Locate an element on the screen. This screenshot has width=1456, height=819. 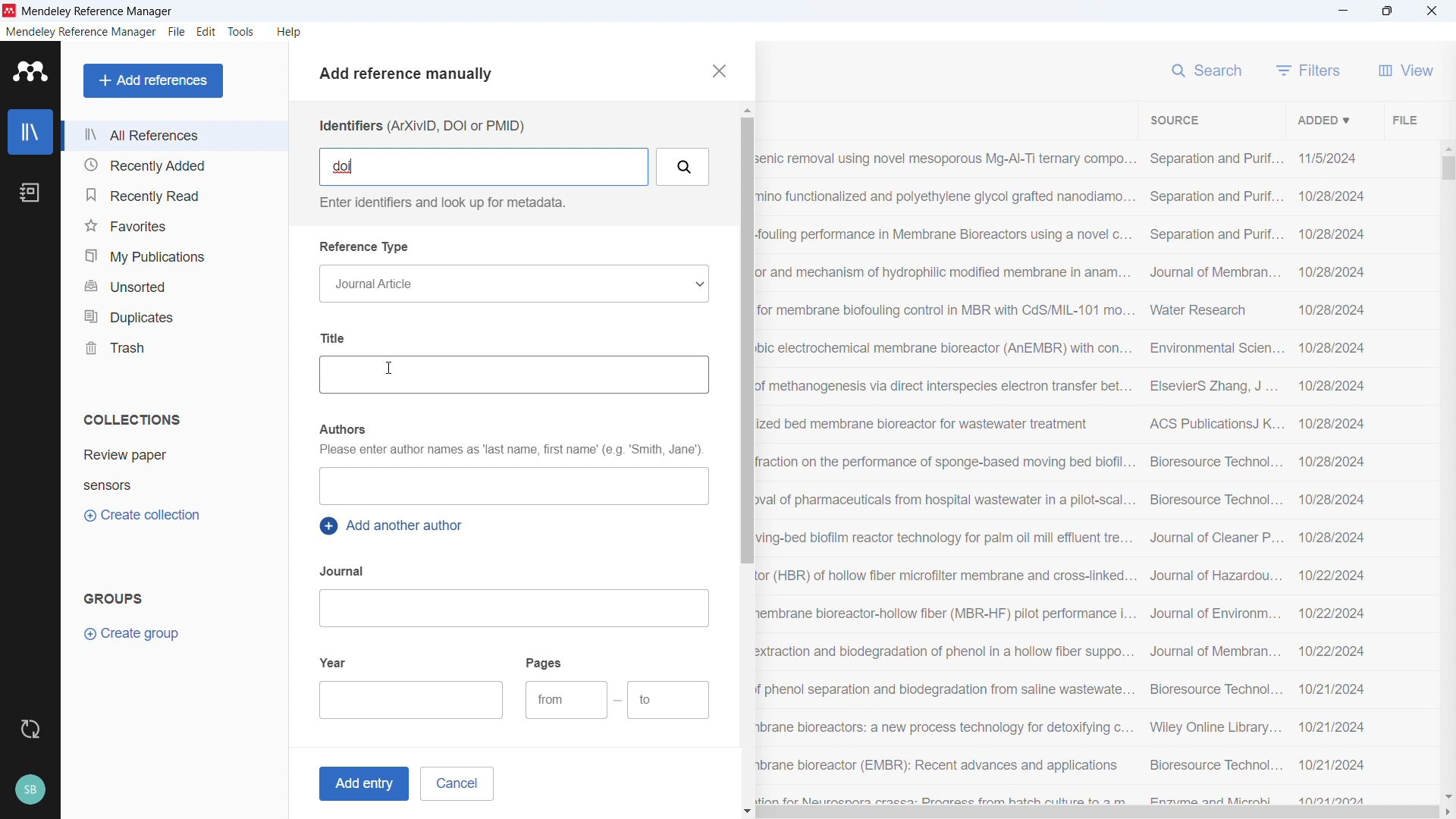
 Scroll up is located at coordinates (745, 110).